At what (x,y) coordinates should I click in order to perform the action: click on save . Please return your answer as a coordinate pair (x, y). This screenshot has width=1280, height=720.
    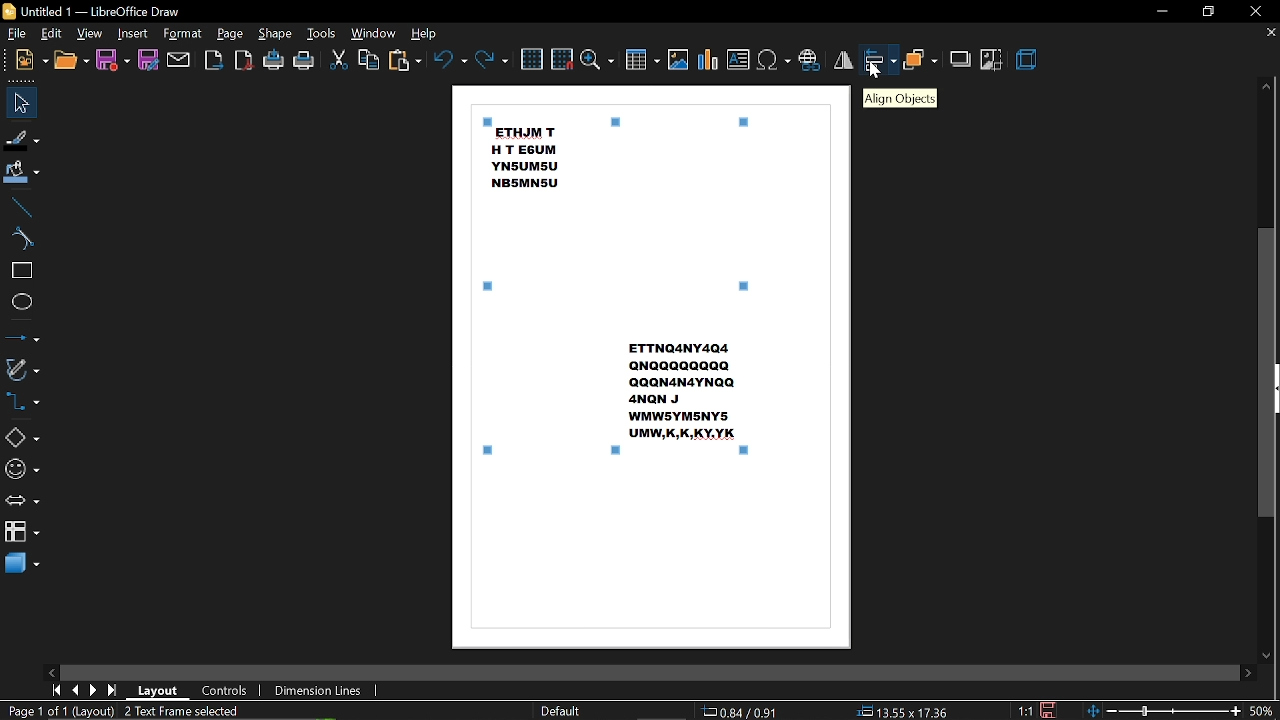
    Looking at the image, I should click on (113, 61).